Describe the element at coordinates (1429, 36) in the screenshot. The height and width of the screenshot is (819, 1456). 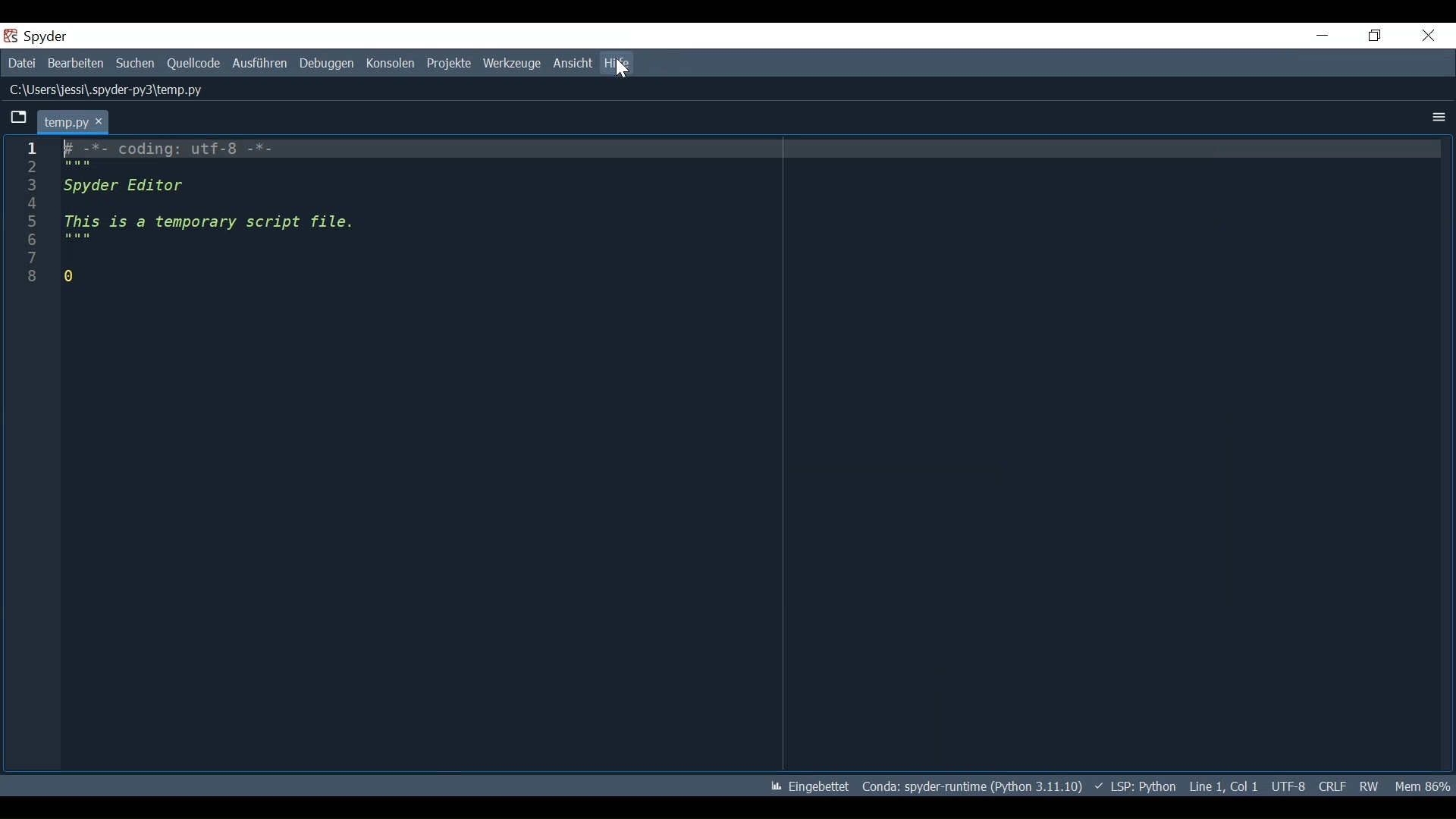
I see `Close` at that location.